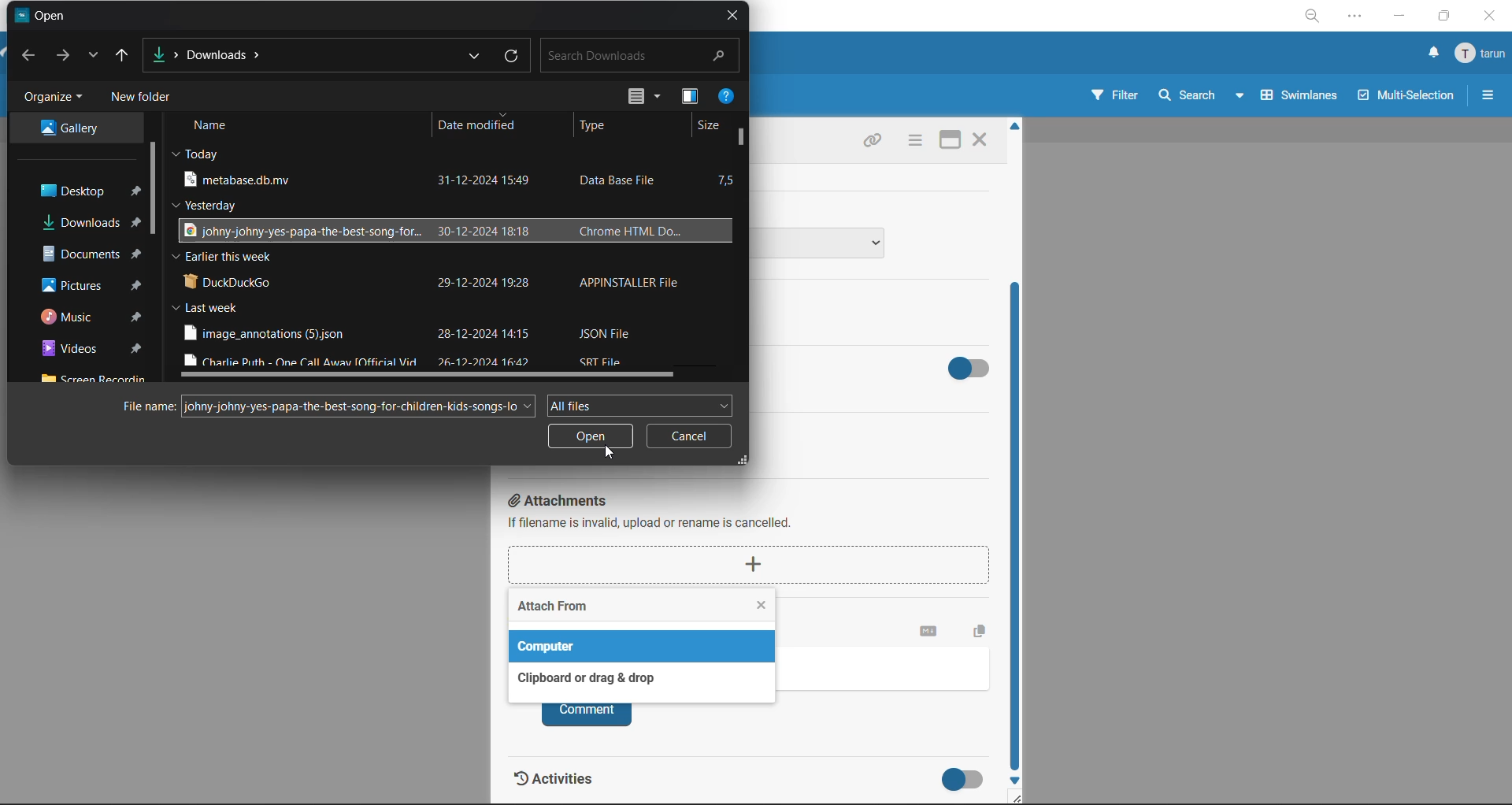 This screenshot has width=1512, height=805. Describe the element at coordinates (581, 678) in the screenshot. I see `clipboard or drag and drop` at that location.